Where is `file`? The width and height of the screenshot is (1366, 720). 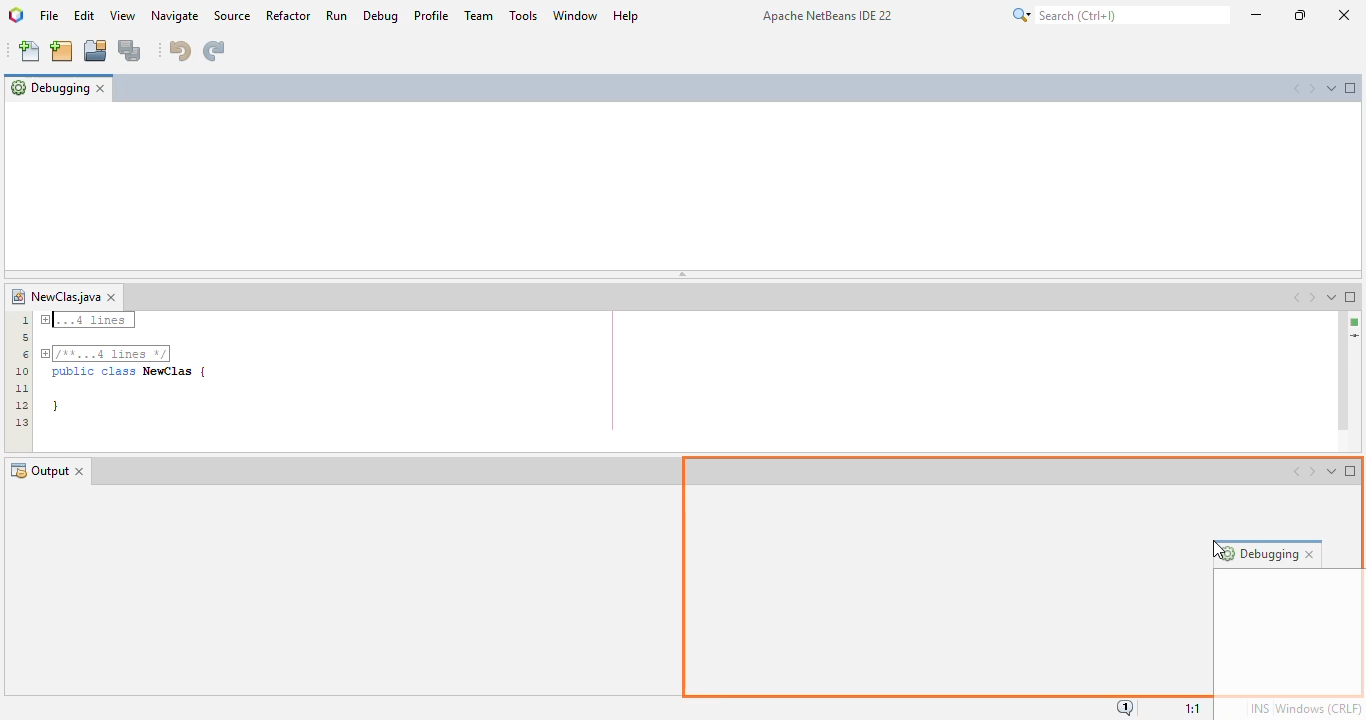 file is located at coordinates (50, 15).